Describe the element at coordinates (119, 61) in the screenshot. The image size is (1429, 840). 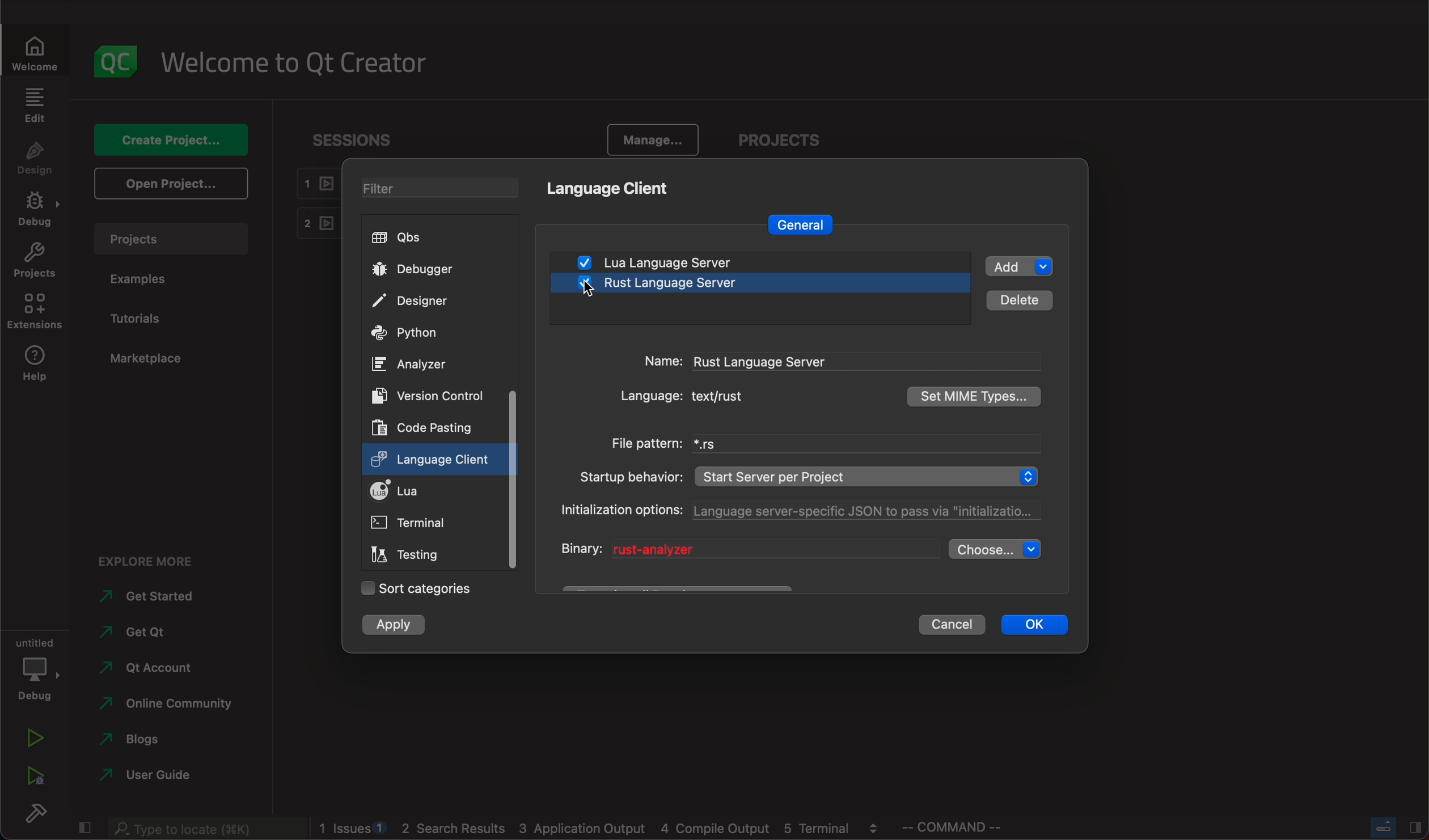
I see `logo` at that location.